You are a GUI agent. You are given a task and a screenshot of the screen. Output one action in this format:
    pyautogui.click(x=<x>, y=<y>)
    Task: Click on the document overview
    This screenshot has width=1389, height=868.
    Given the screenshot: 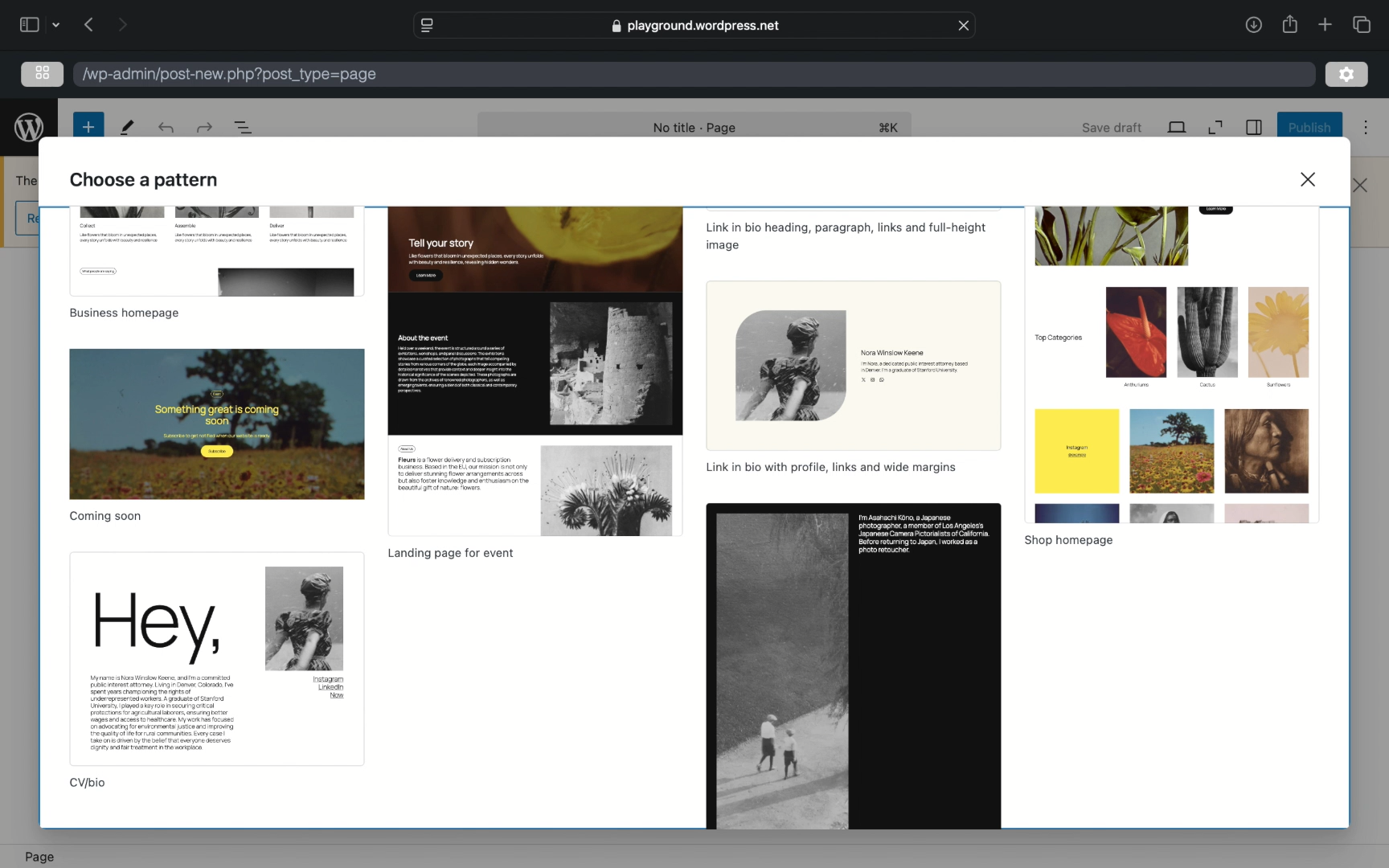 What is the action you would take?
    pyautogui.click(x=244, y=128)
    